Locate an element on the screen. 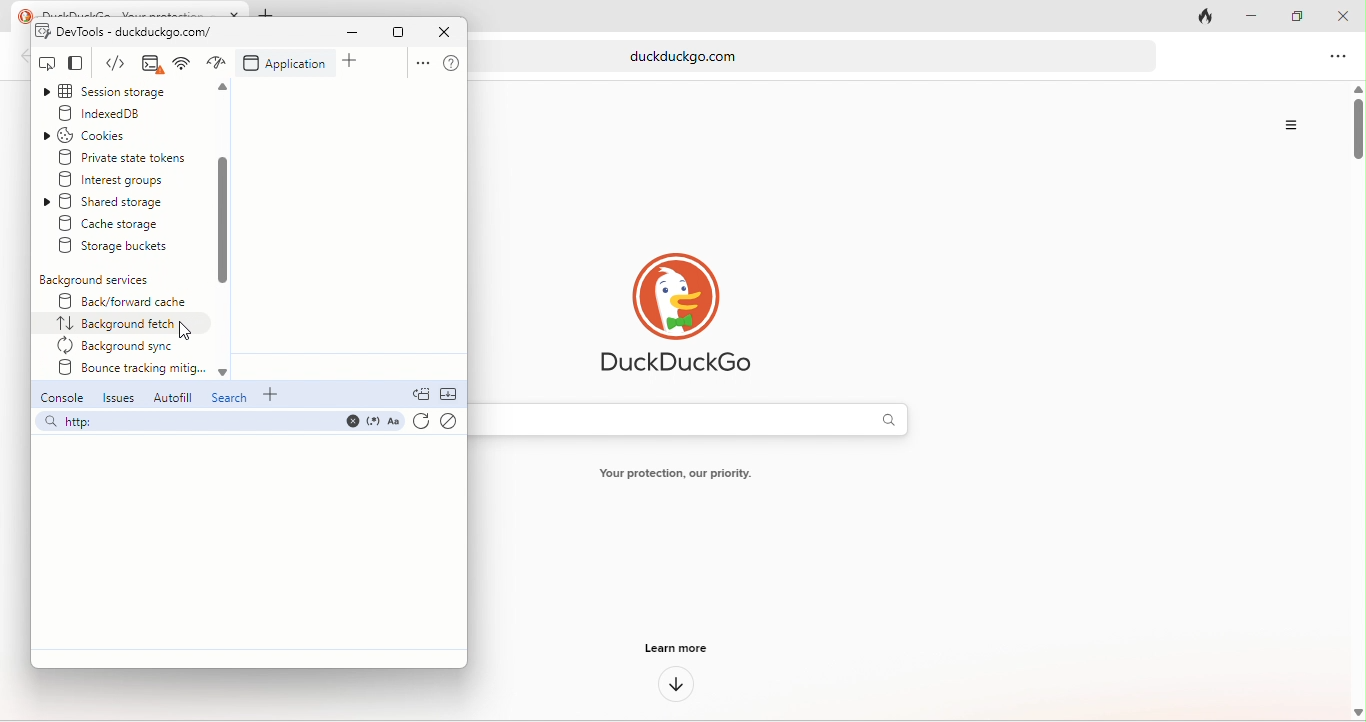 This screenshot has width=1366, height=722. duck duck go logo is located at coordinates (674, 314).